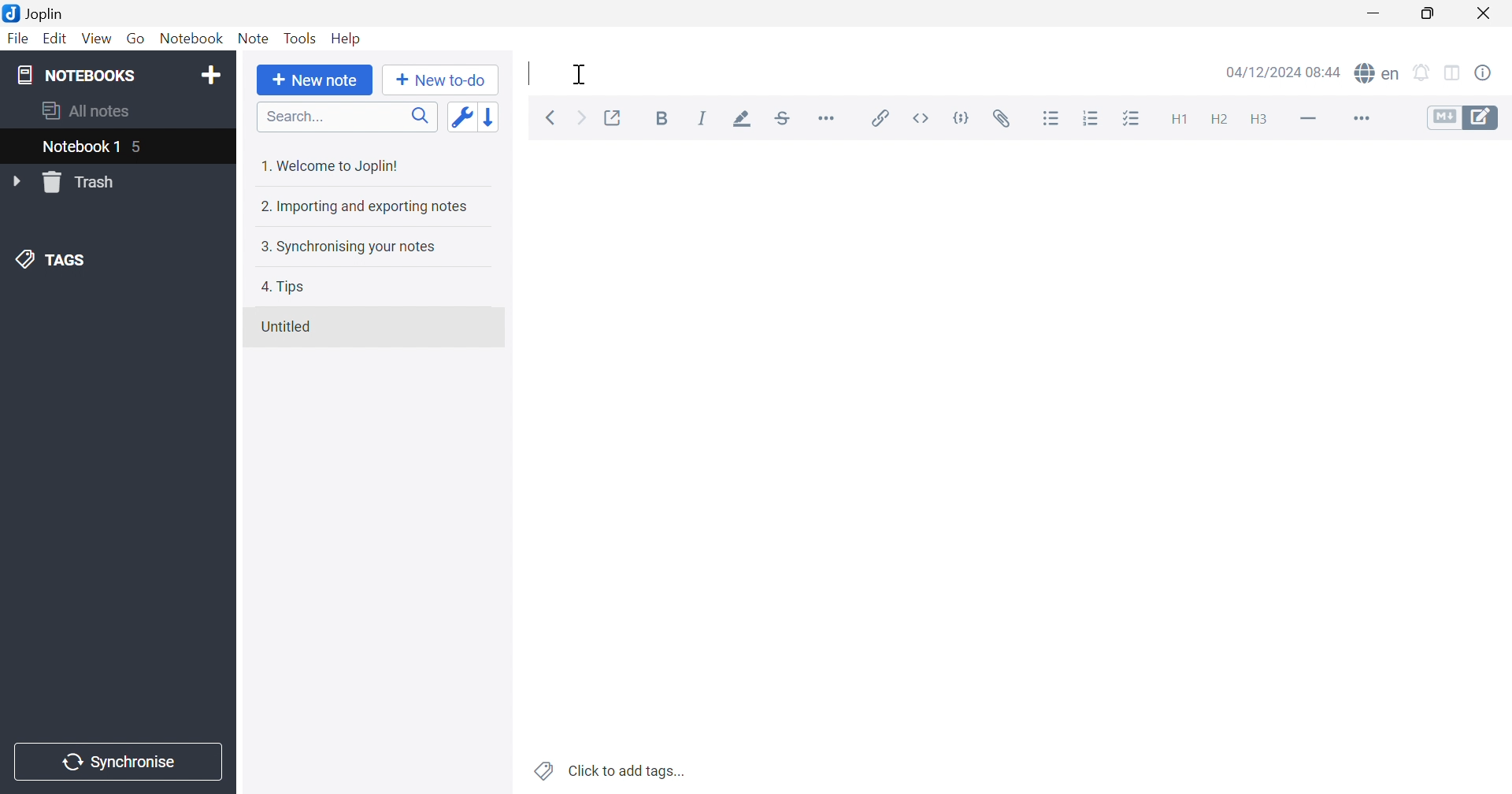 Image resolution: width=1512 pixels, height=794 pixels. What do you see at coordinates (491, 117) in the screenshot?
I see `Reverse sort order` at bounding box center [491, 117].